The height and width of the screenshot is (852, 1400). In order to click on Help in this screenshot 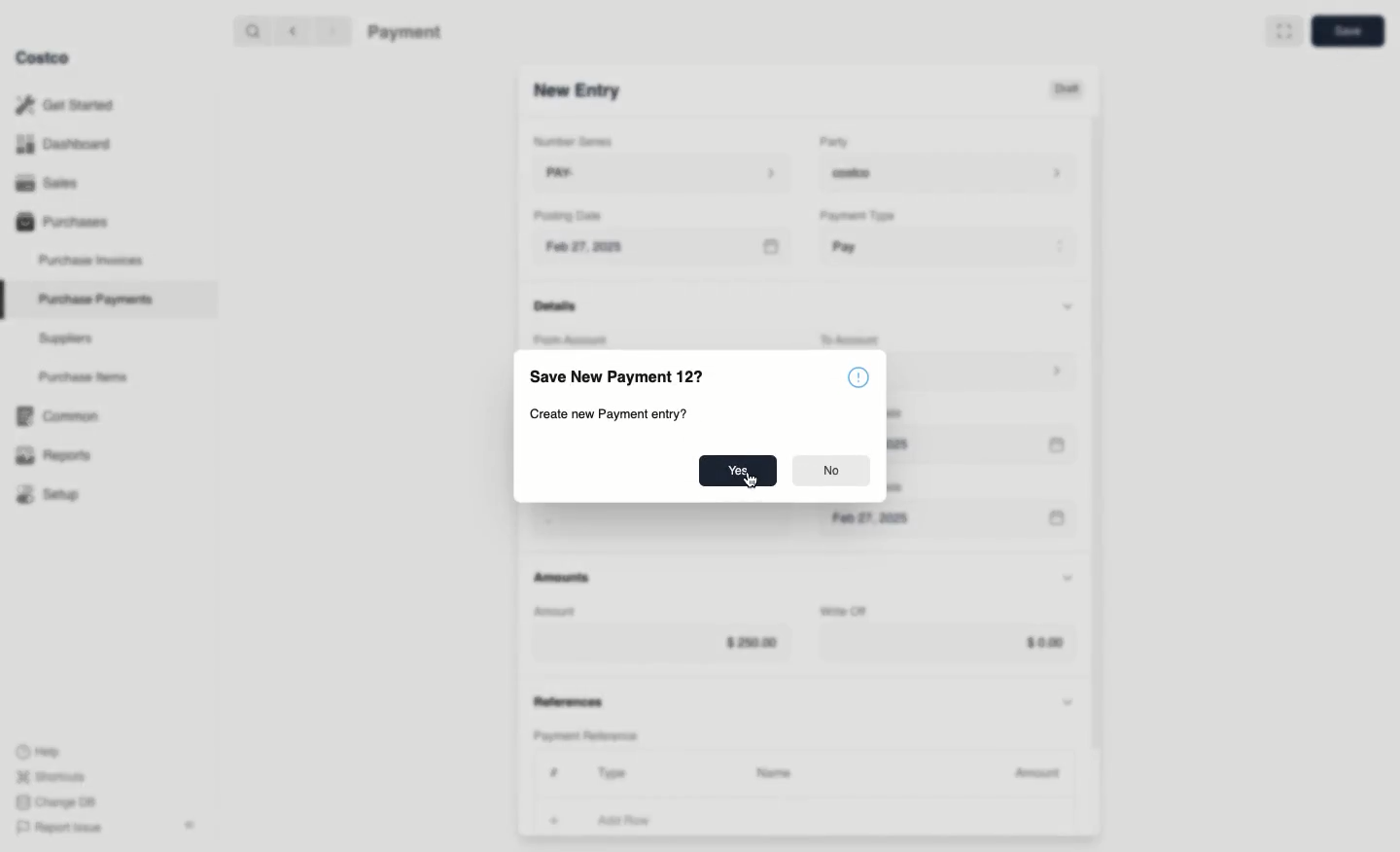, I will do `click(38, 750)`.